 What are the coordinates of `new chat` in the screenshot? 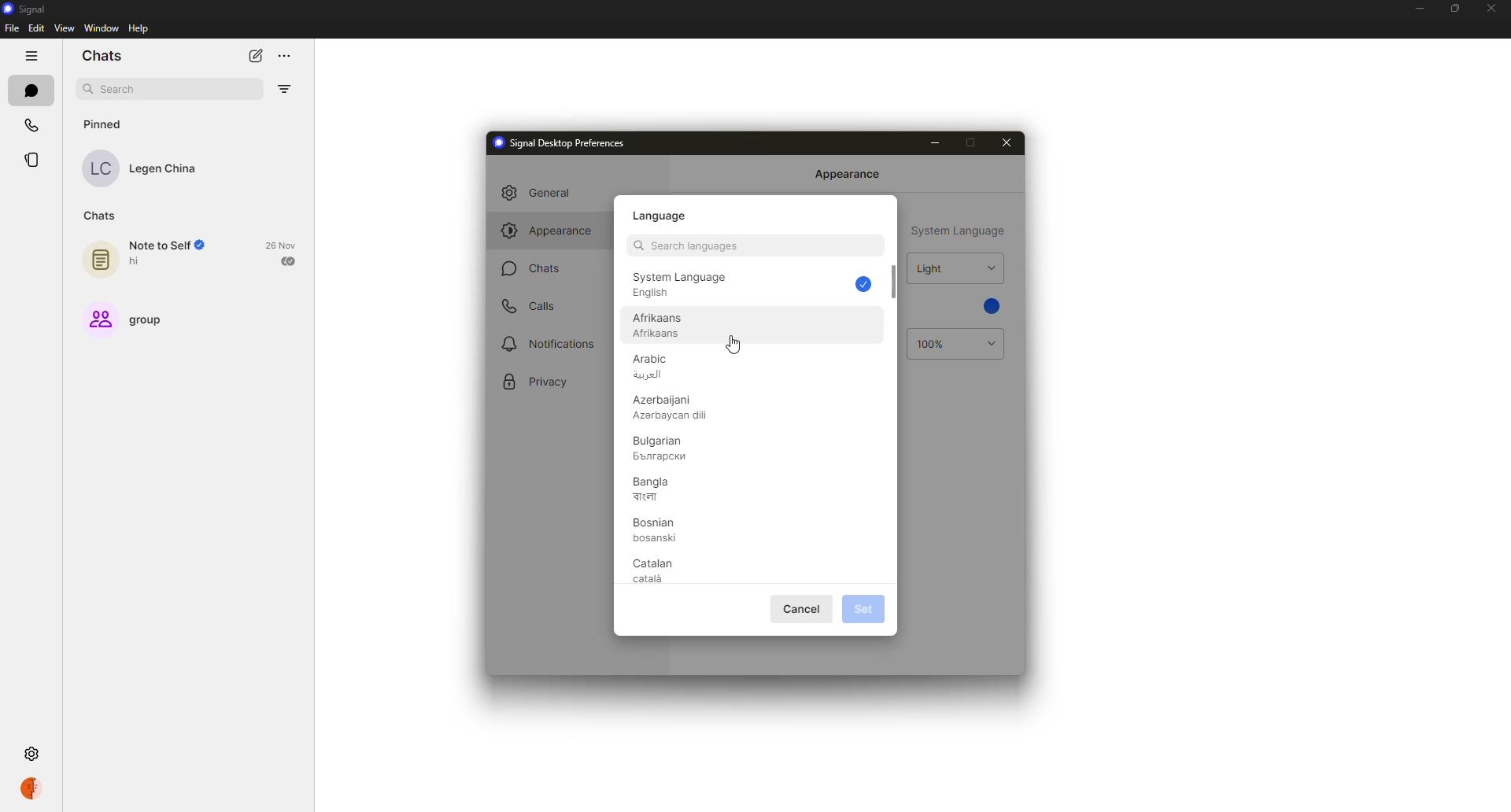 It's located at (256, 57).